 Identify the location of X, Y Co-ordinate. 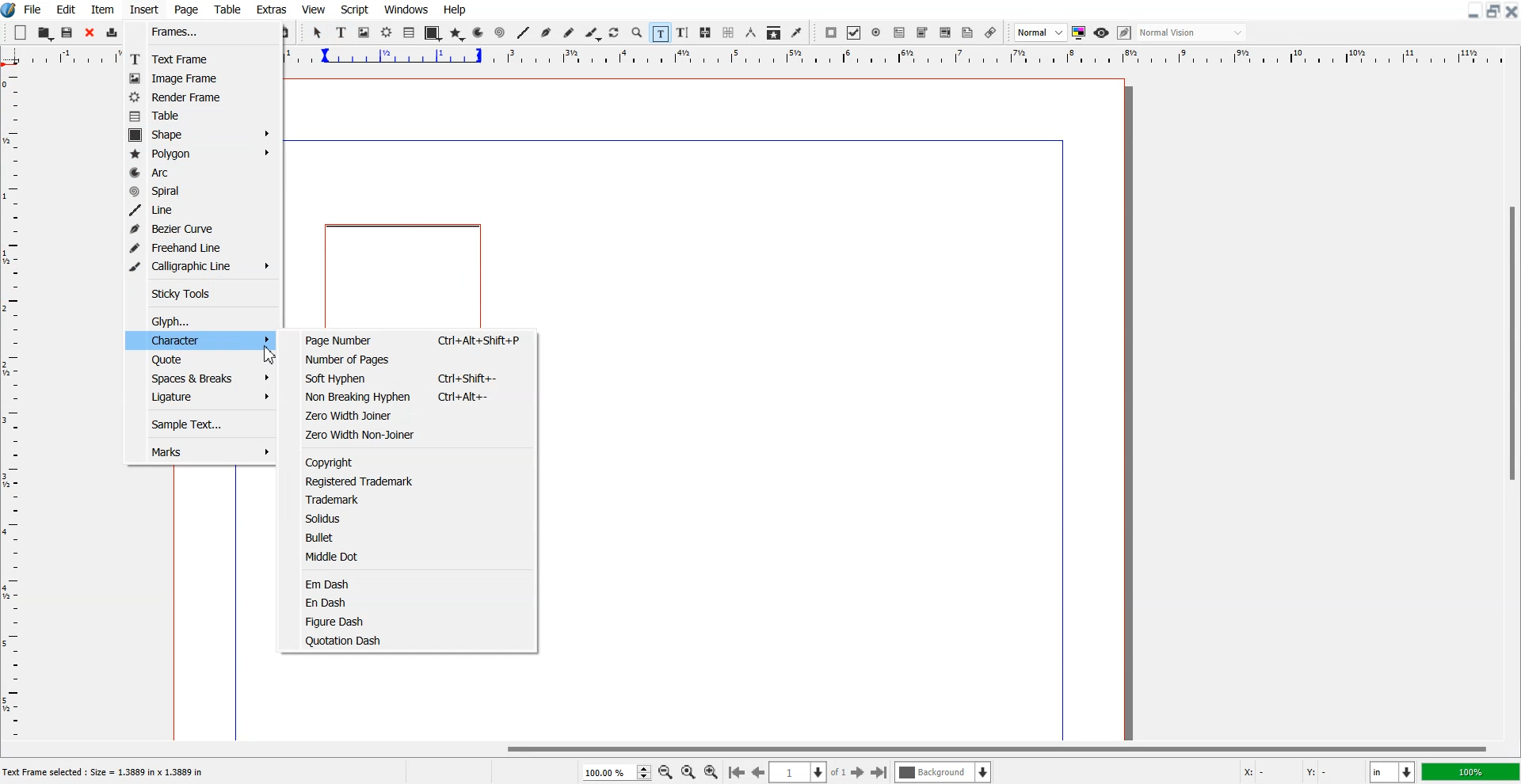
(1298, 773).